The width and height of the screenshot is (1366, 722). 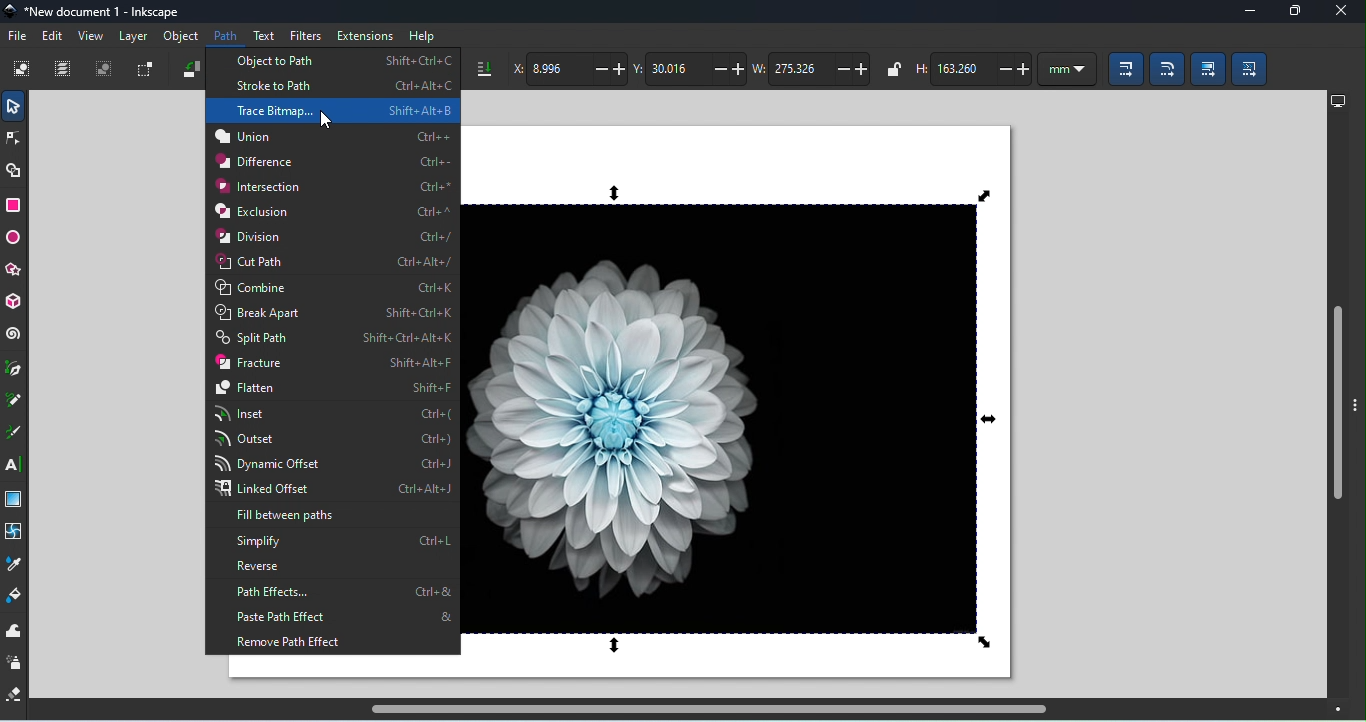 What do you see at coordinates (306, 34) in the screenshot?
I see `Filters` at bounding box center [306, 34].